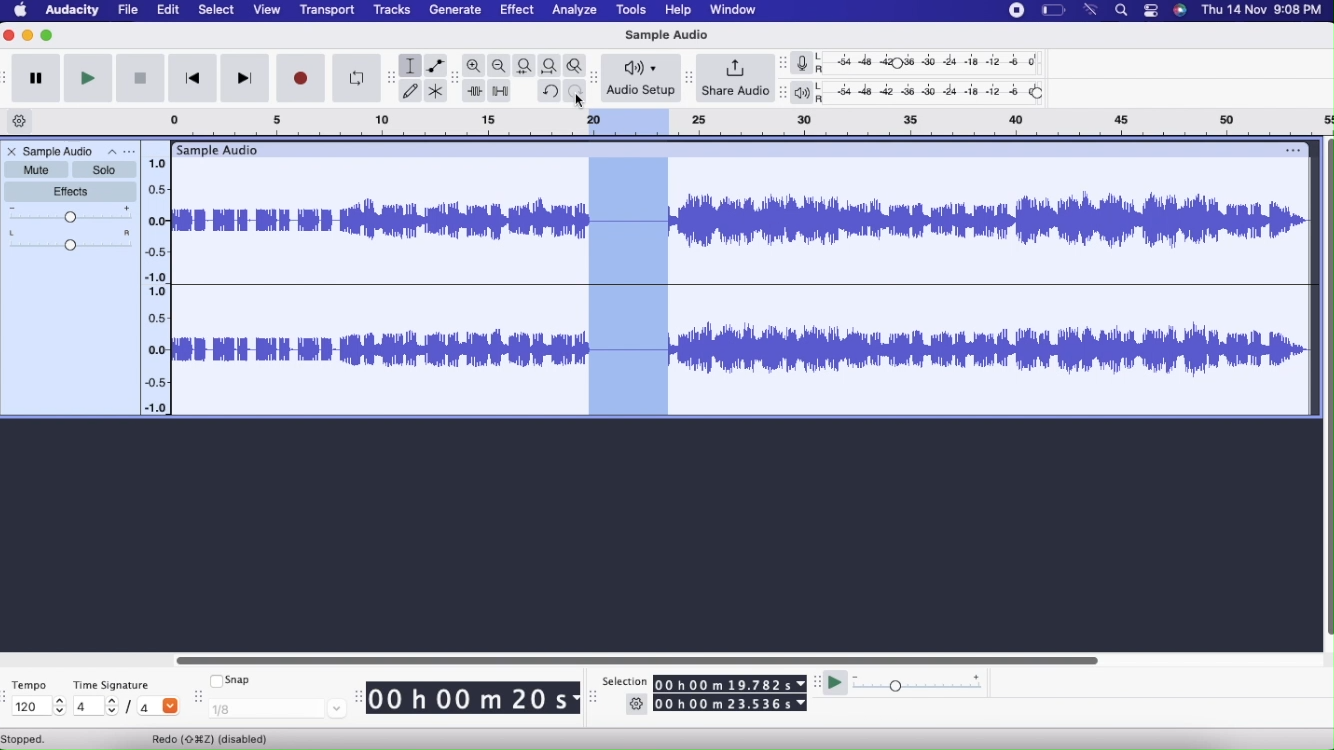  I want to click on Redo, so click(214, 738).